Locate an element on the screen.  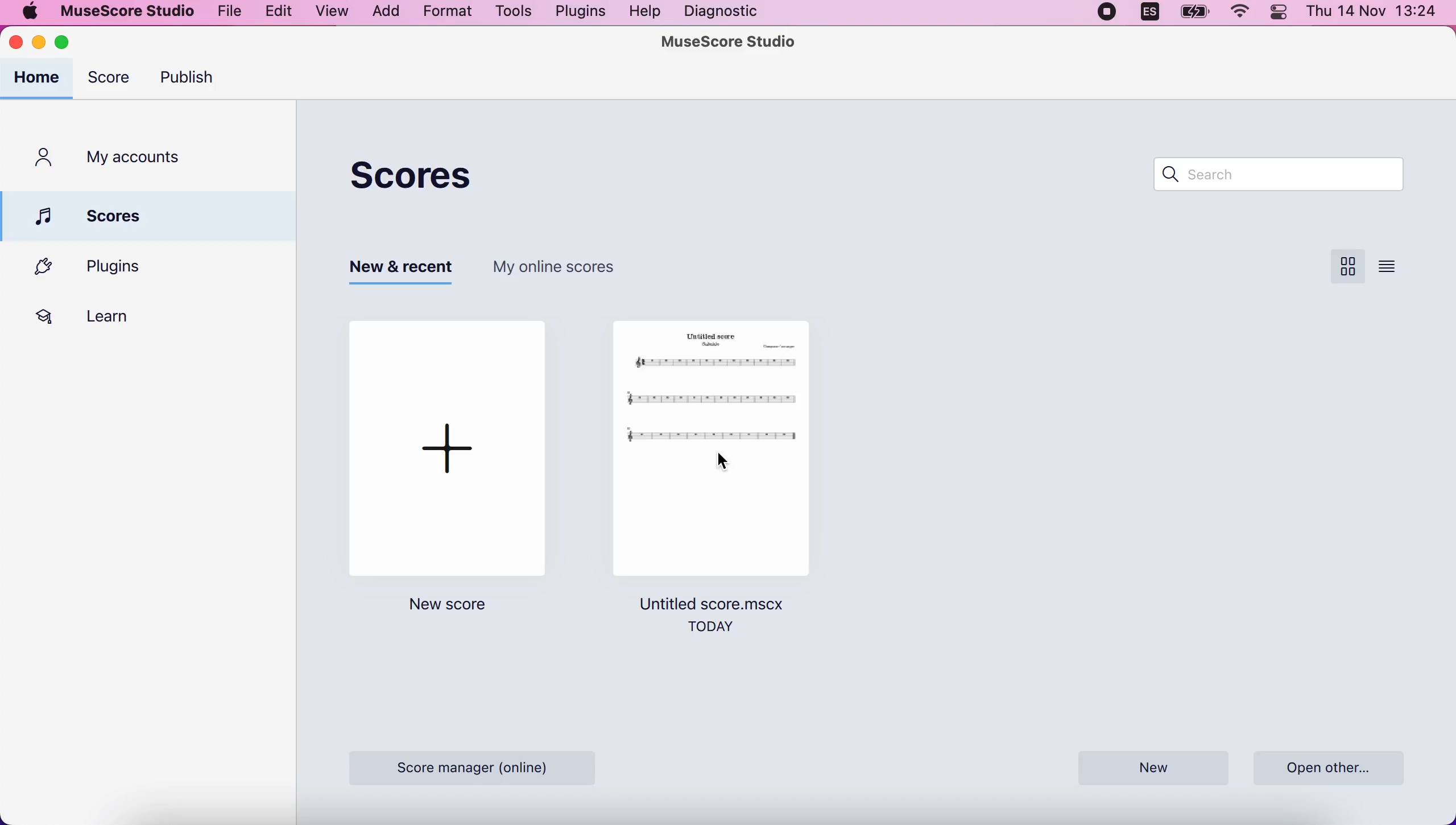
help is located at coordinates (643, 13).